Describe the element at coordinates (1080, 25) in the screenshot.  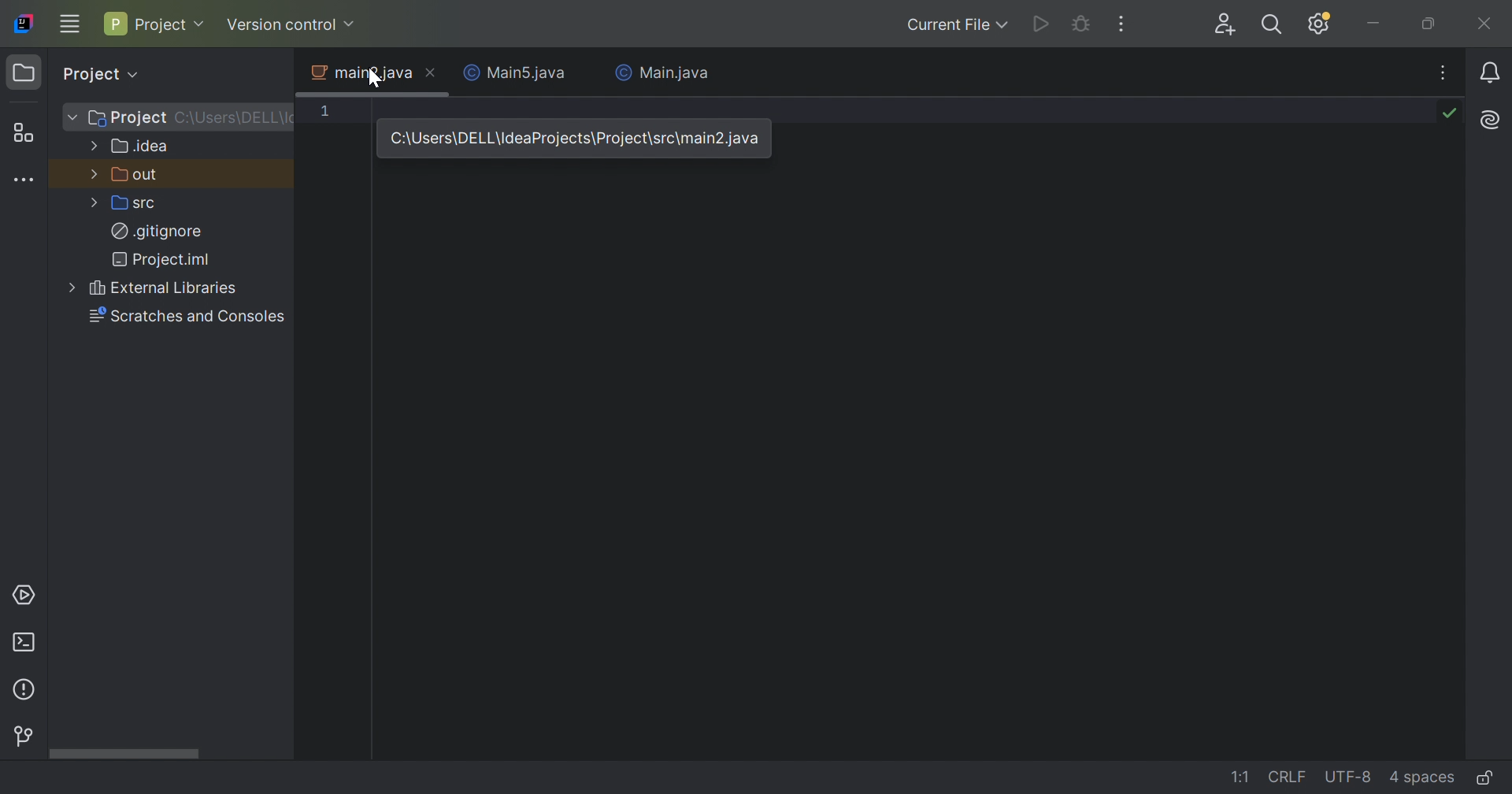
I see `Debug` at that location.